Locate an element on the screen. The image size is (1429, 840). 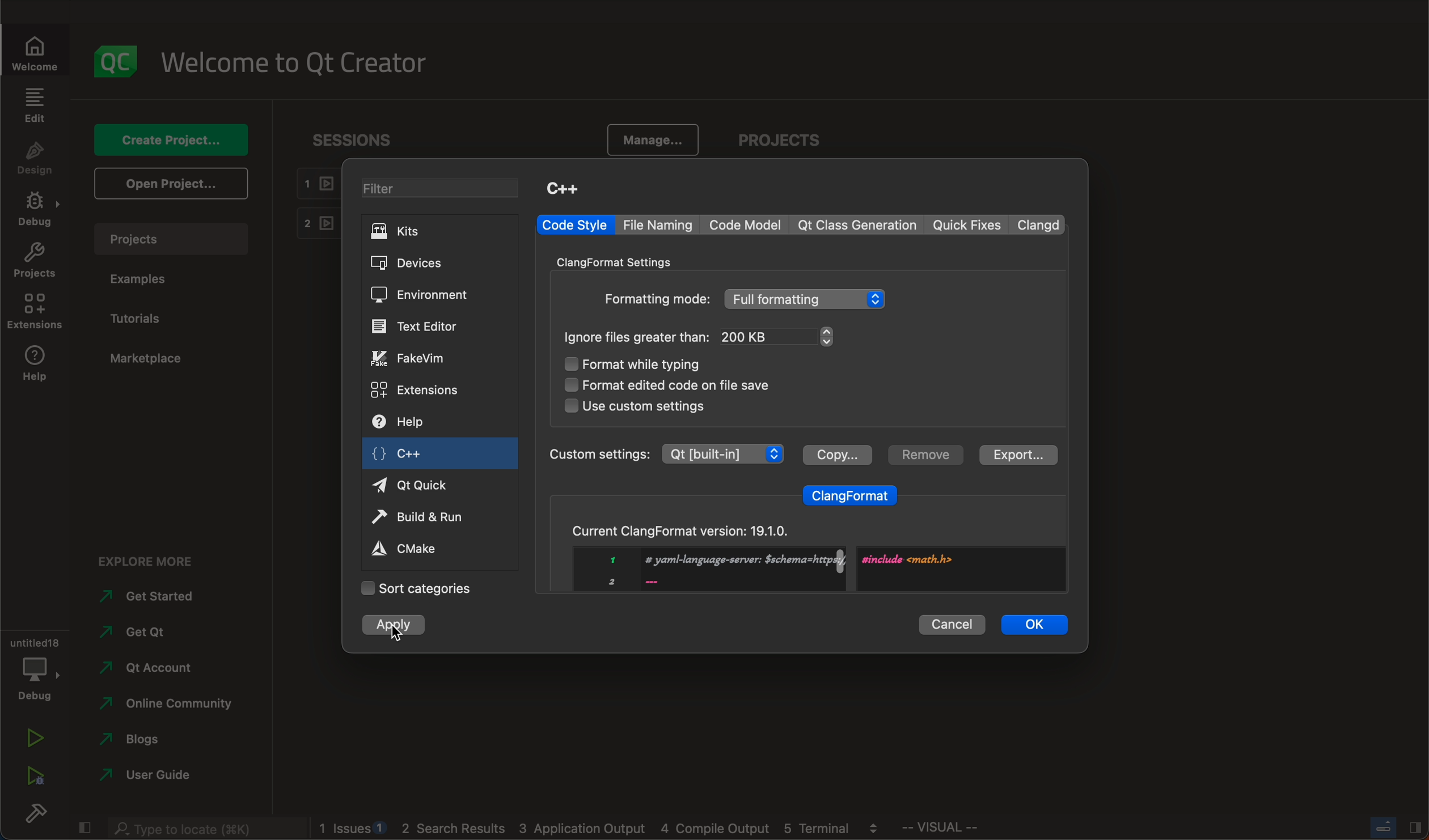
tutorials is located at coordinates (141, 319).